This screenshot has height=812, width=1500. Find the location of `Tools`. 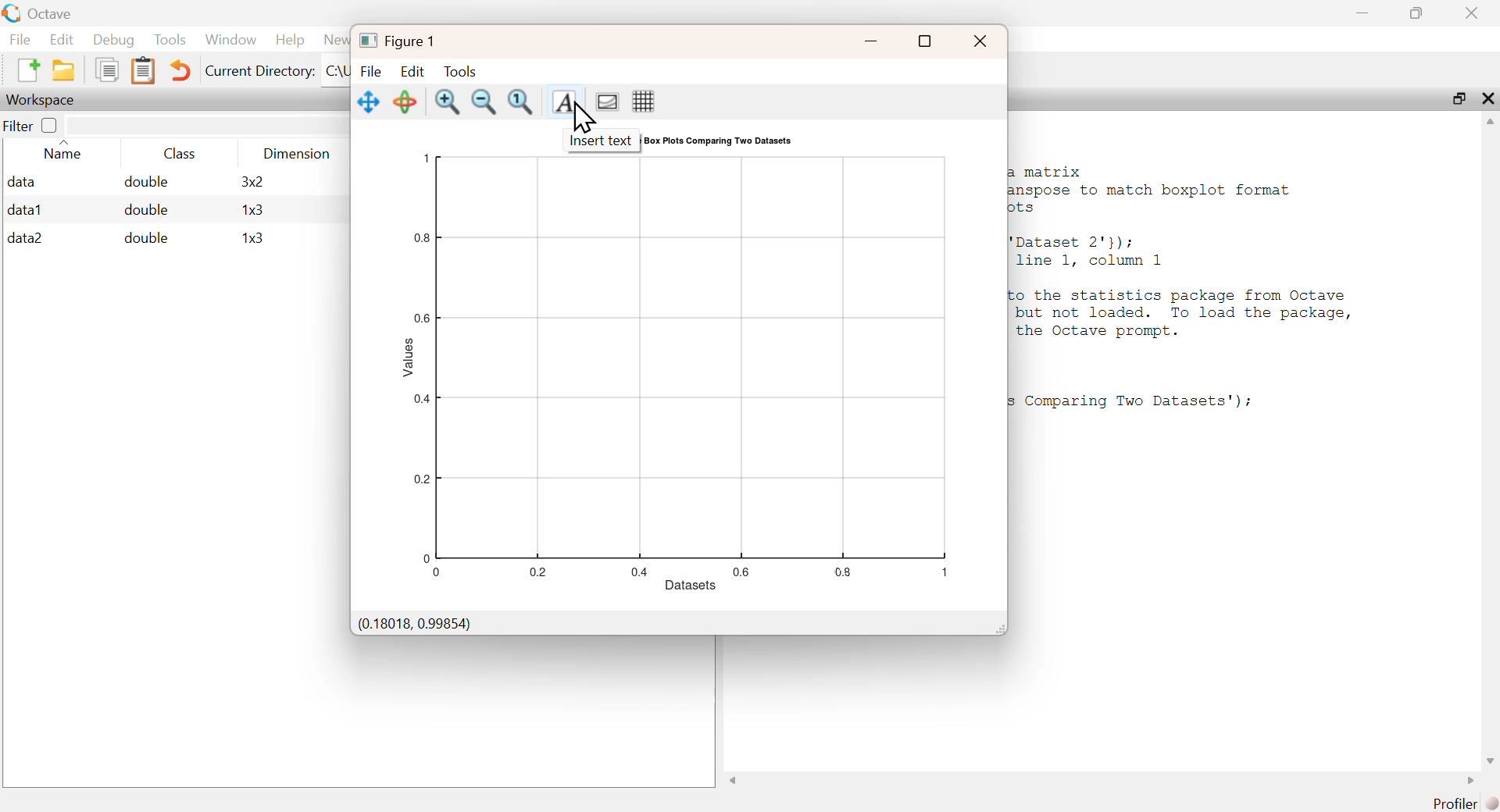

Tools is located at coordinates (171, 39).